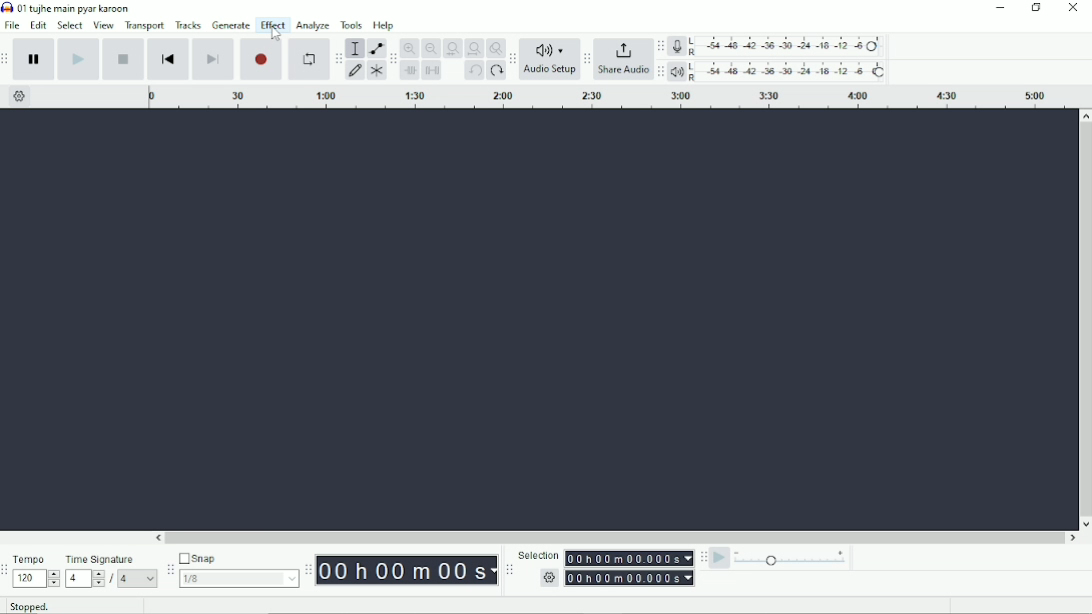  I want to click on Zoom toggle, so click(495, 48).